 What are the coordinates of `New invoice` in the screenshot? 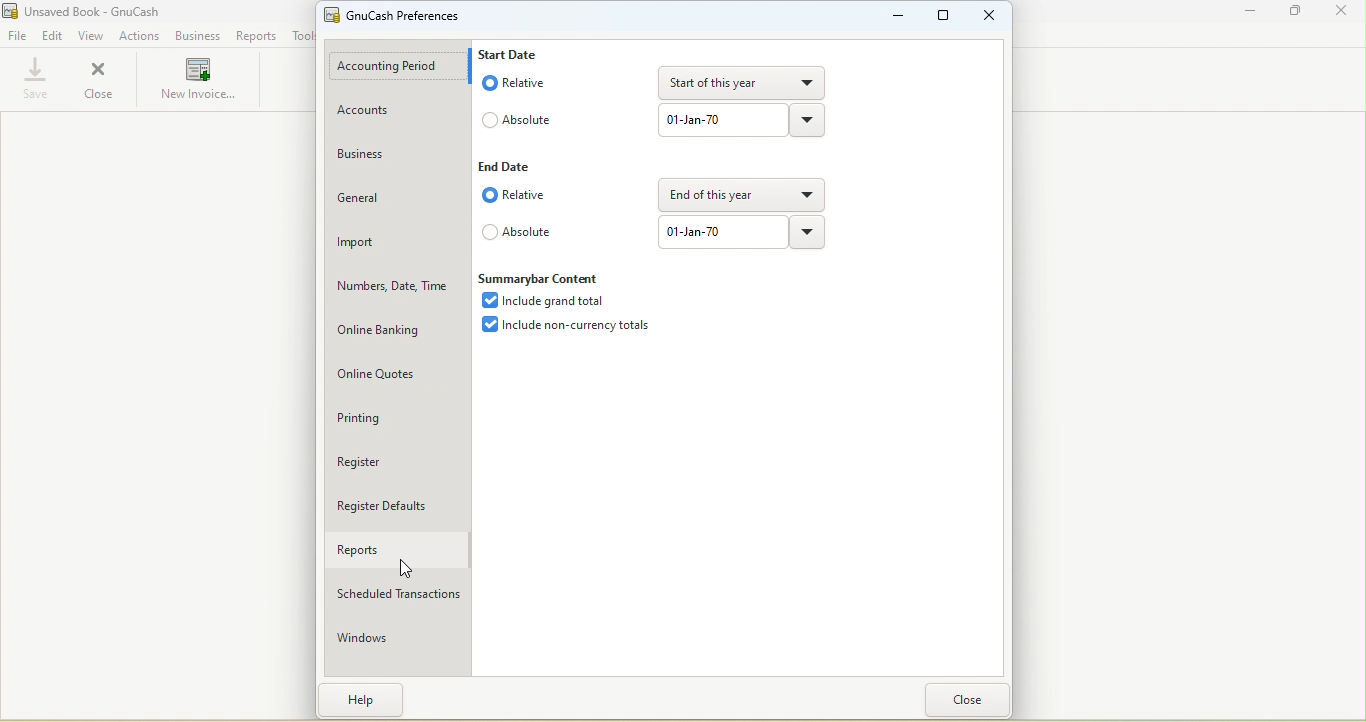 It's located at (198, 81).